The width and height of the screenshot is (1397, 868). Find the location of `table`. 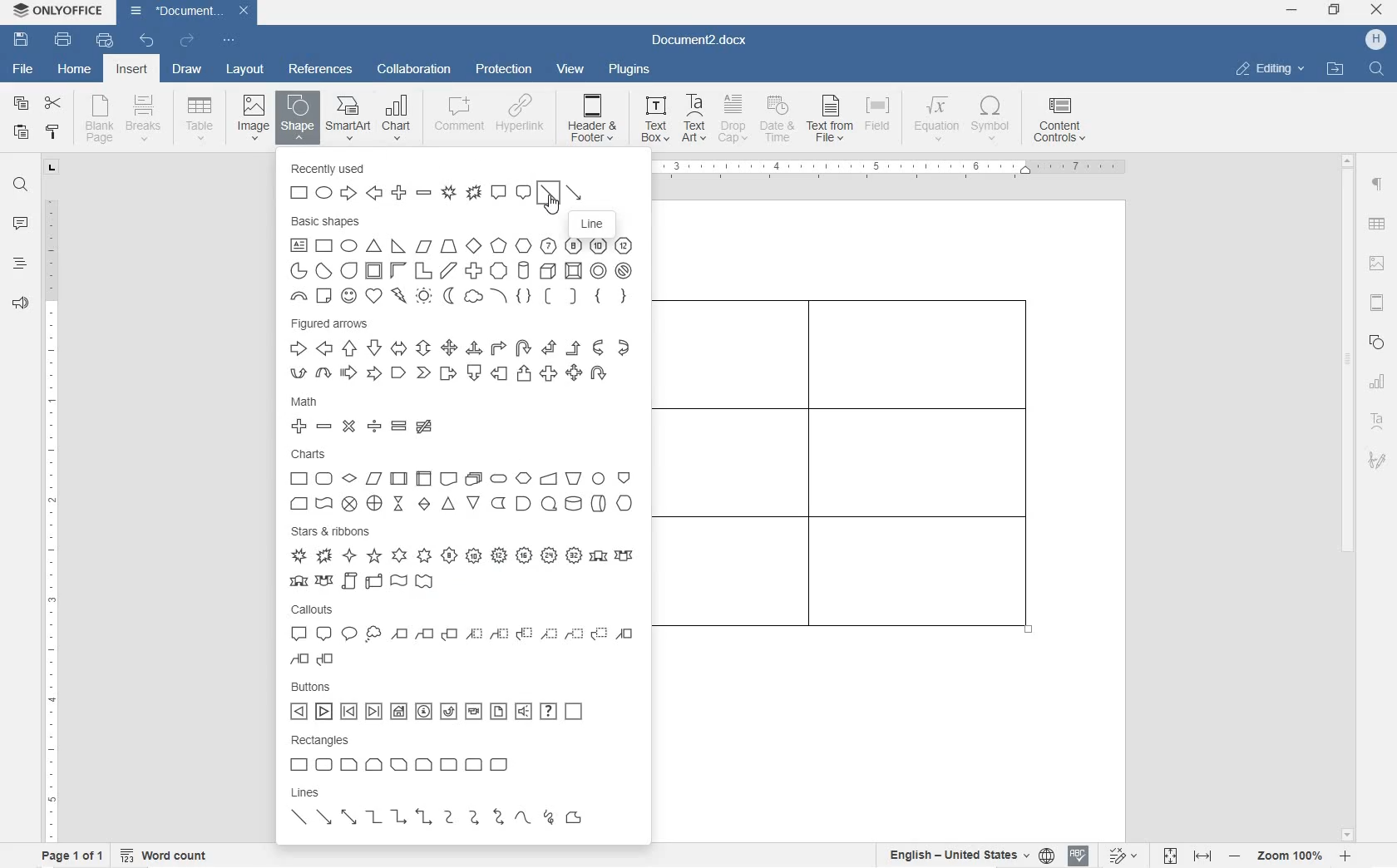

table is located at coordinates (1377, 225).